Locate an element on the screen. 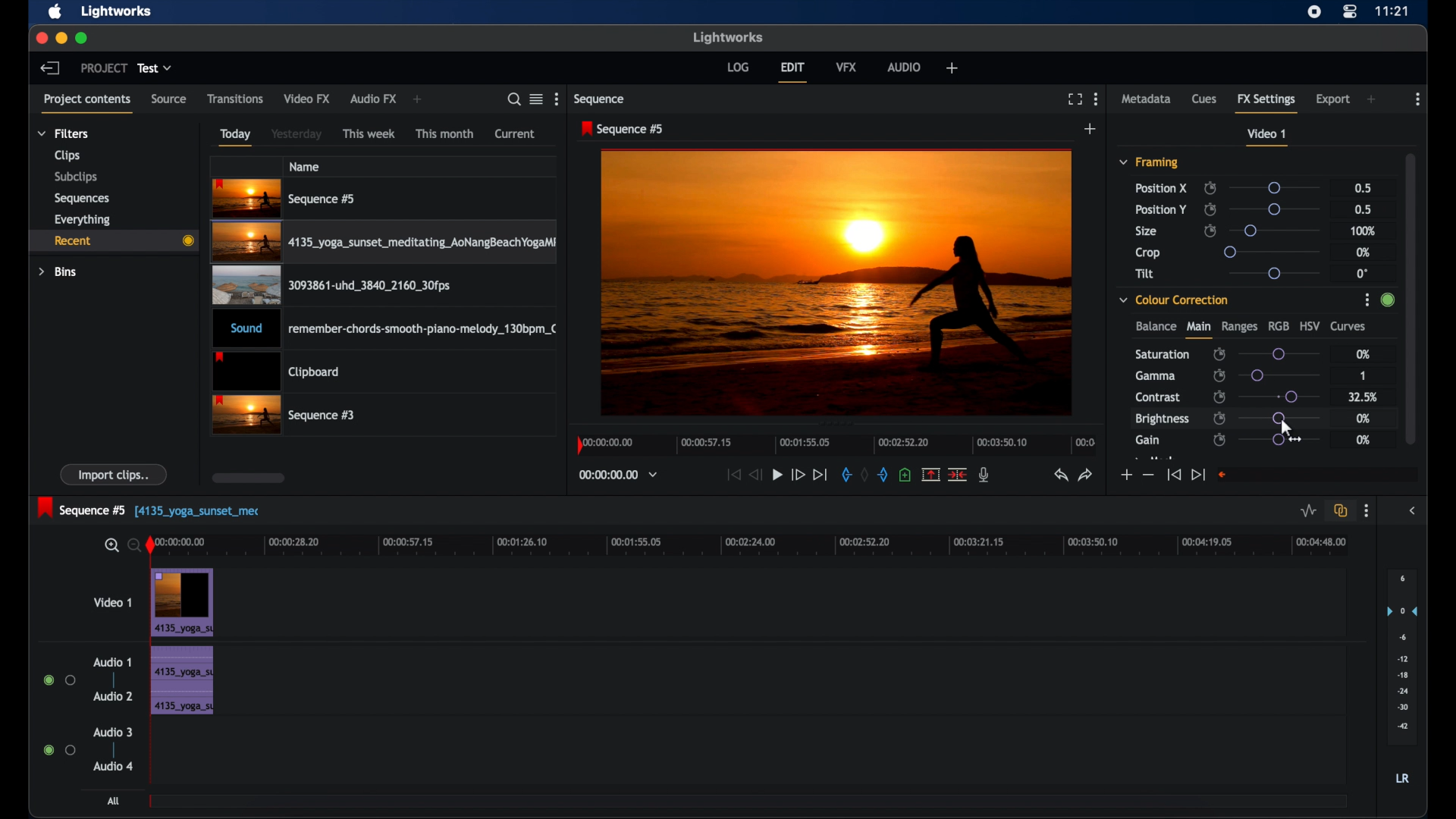  project contents is located at coordinates (86, 102).